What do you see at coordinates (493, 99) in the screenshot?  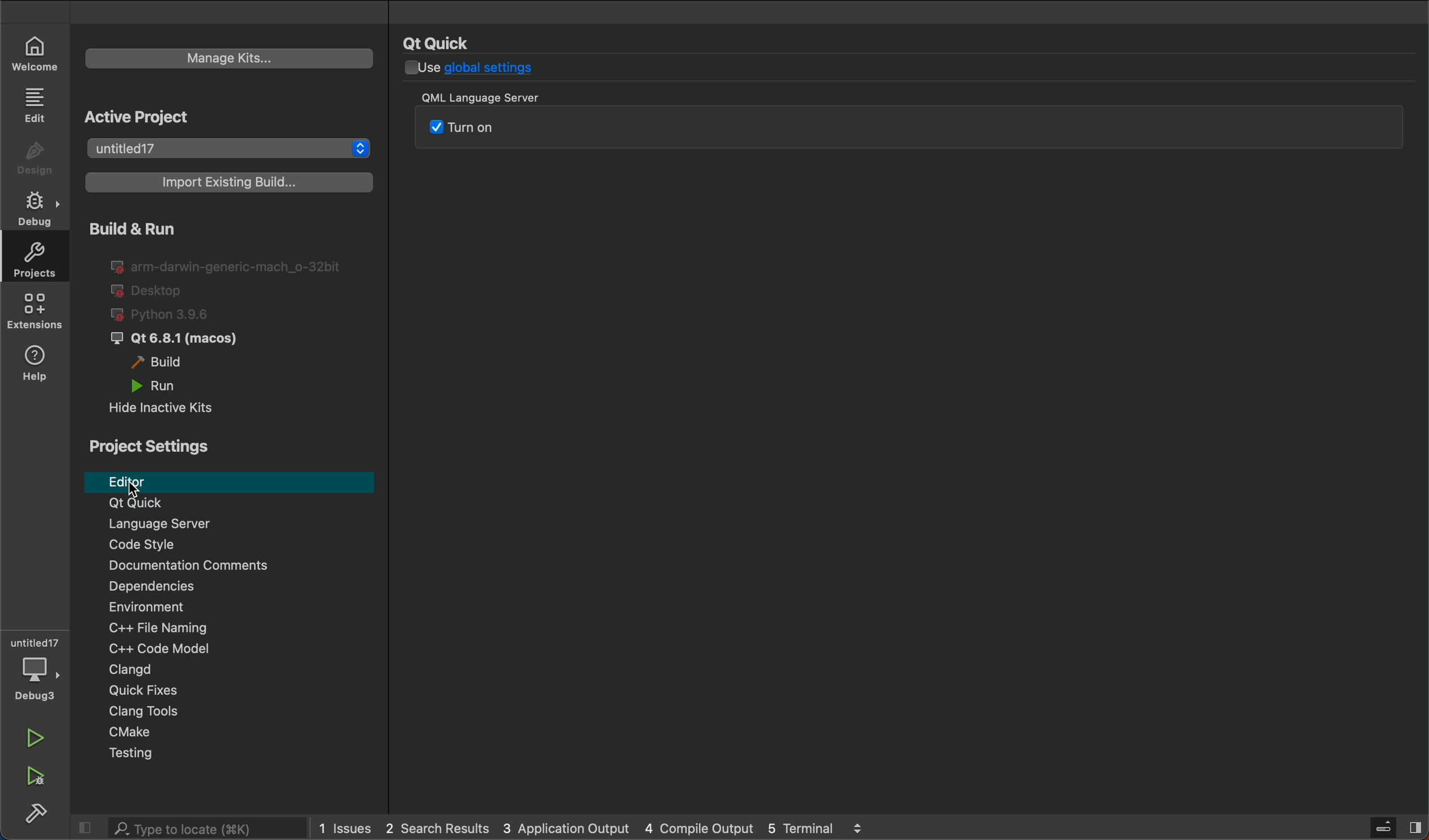 I see `title` at bounding box center [493, 99].